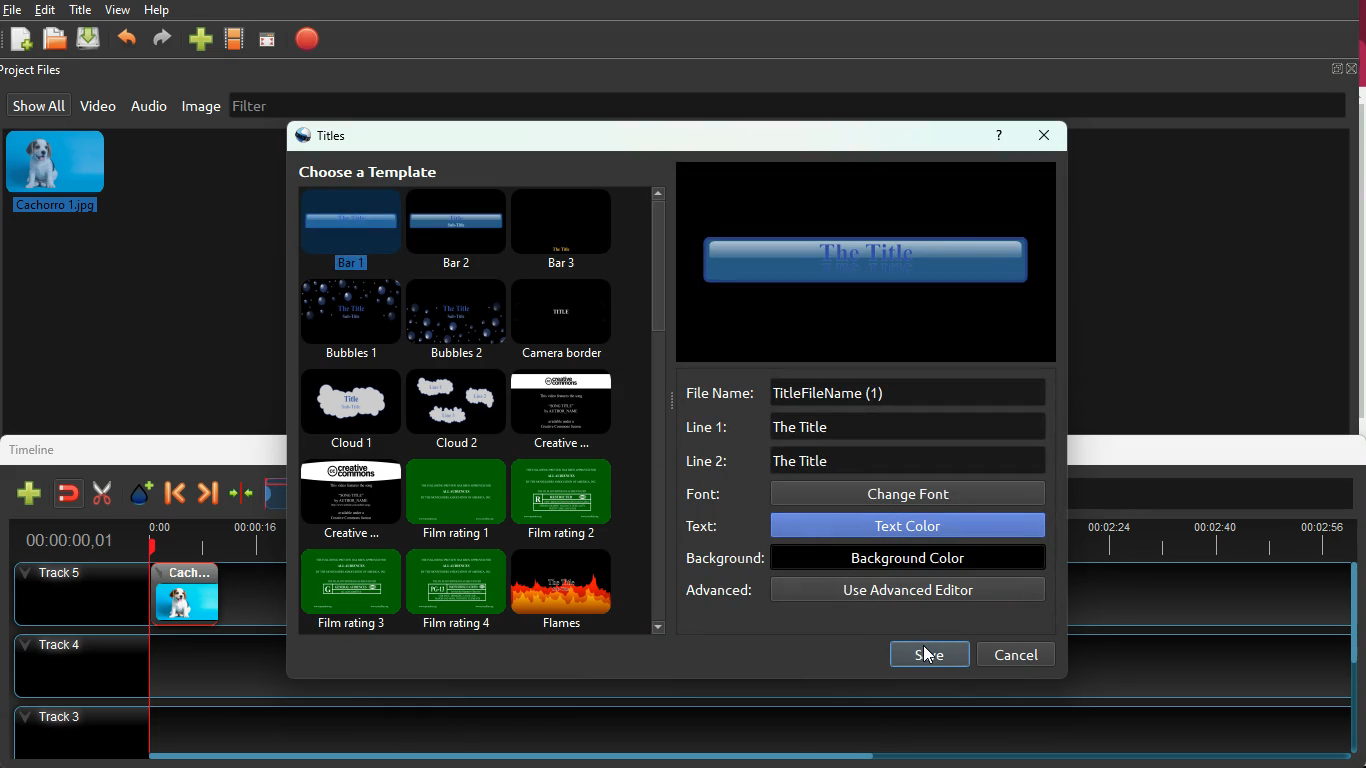 This screenshot has height=768, width=1366. Describe the element at coordinates (20, 41) in the screenshot. I see `add` at that location.